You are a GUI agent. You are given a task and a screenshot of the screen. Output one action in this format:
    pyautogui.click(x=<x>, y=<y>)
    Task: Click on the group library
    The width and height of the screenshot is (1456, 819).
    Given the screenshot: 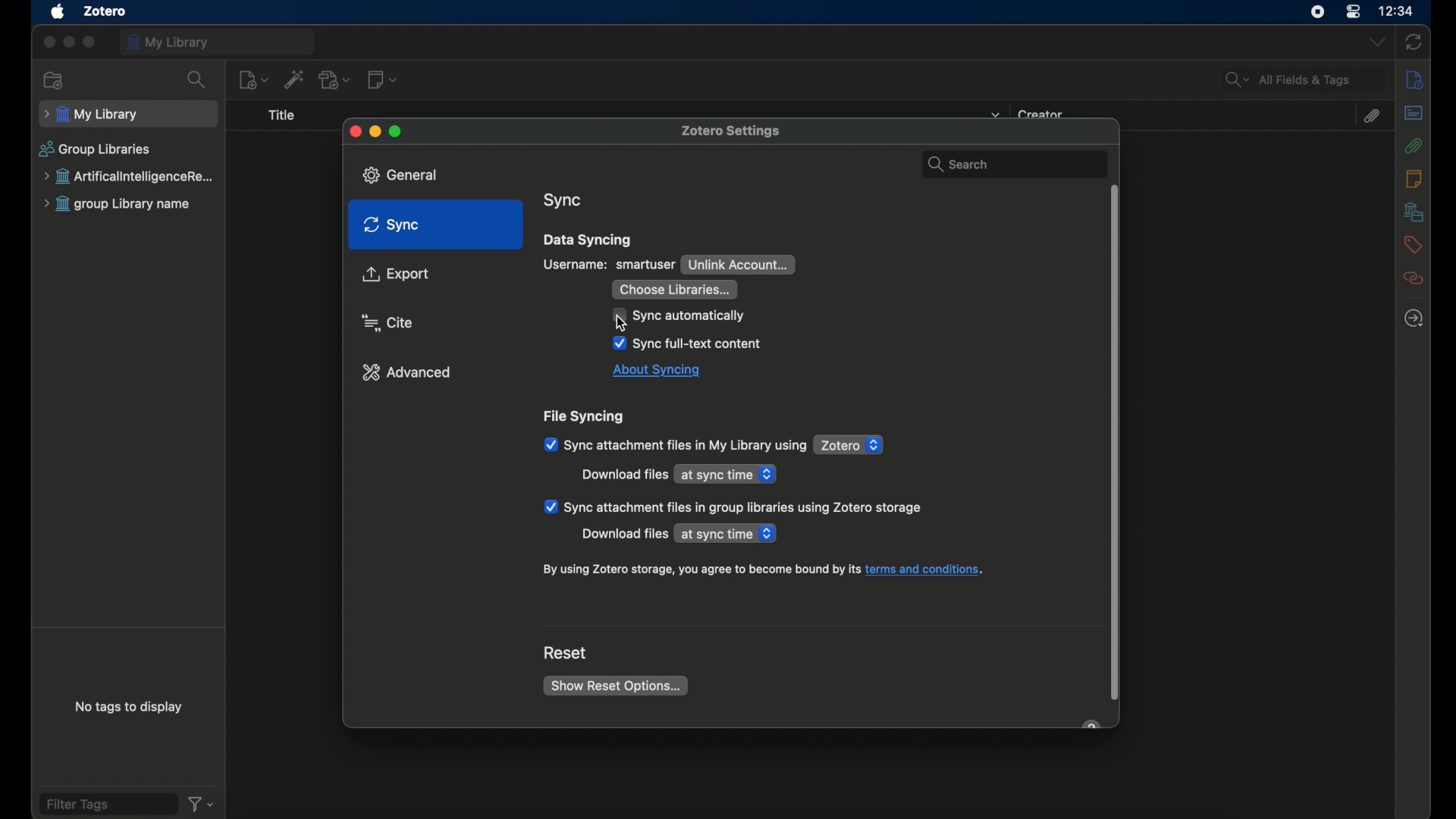 What is the action you would take?
    pyautogui.click(x=131, y=177)
    